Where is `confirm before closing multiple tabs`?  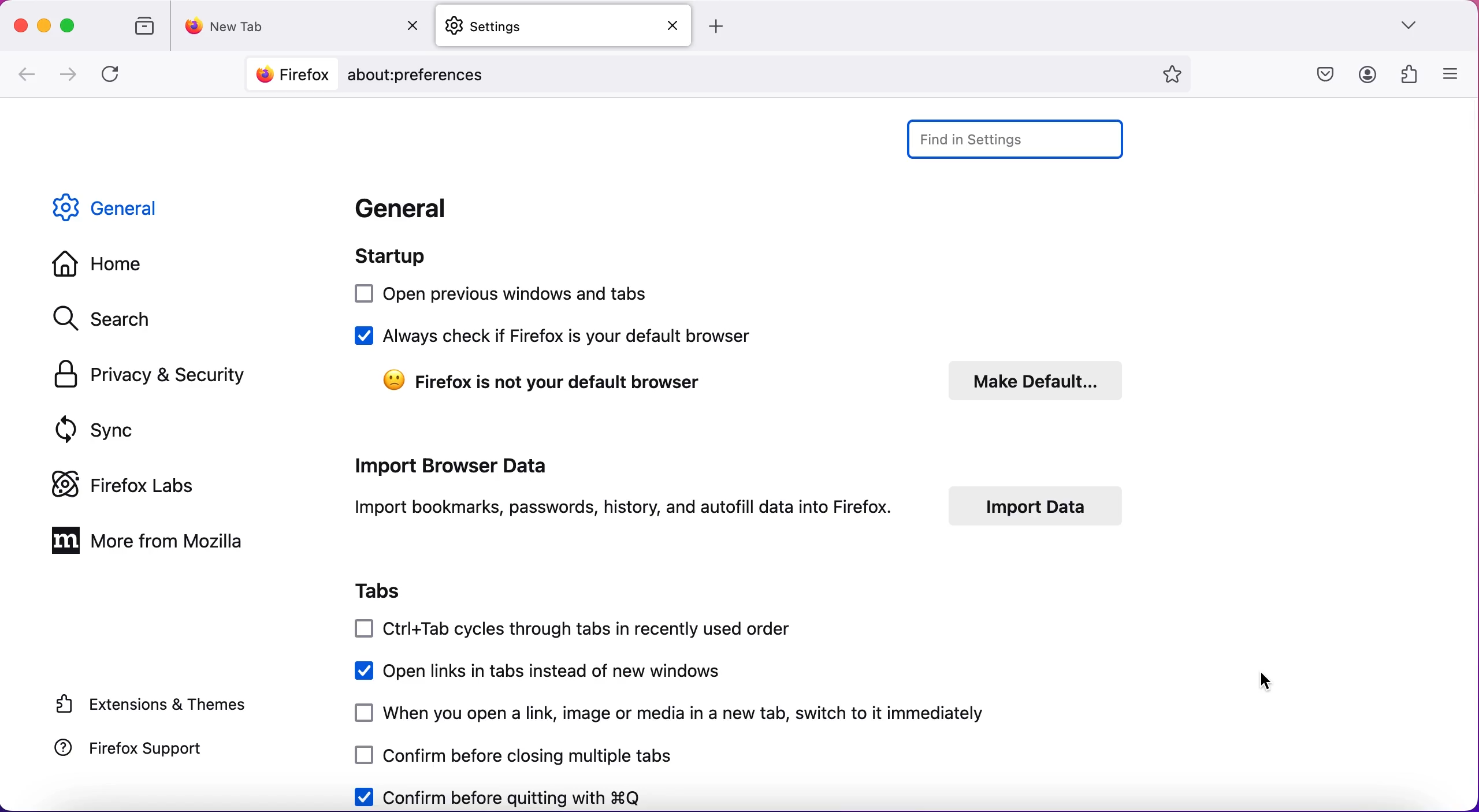
confirm before closing multiple tabs is located at coordinates (519, 755).